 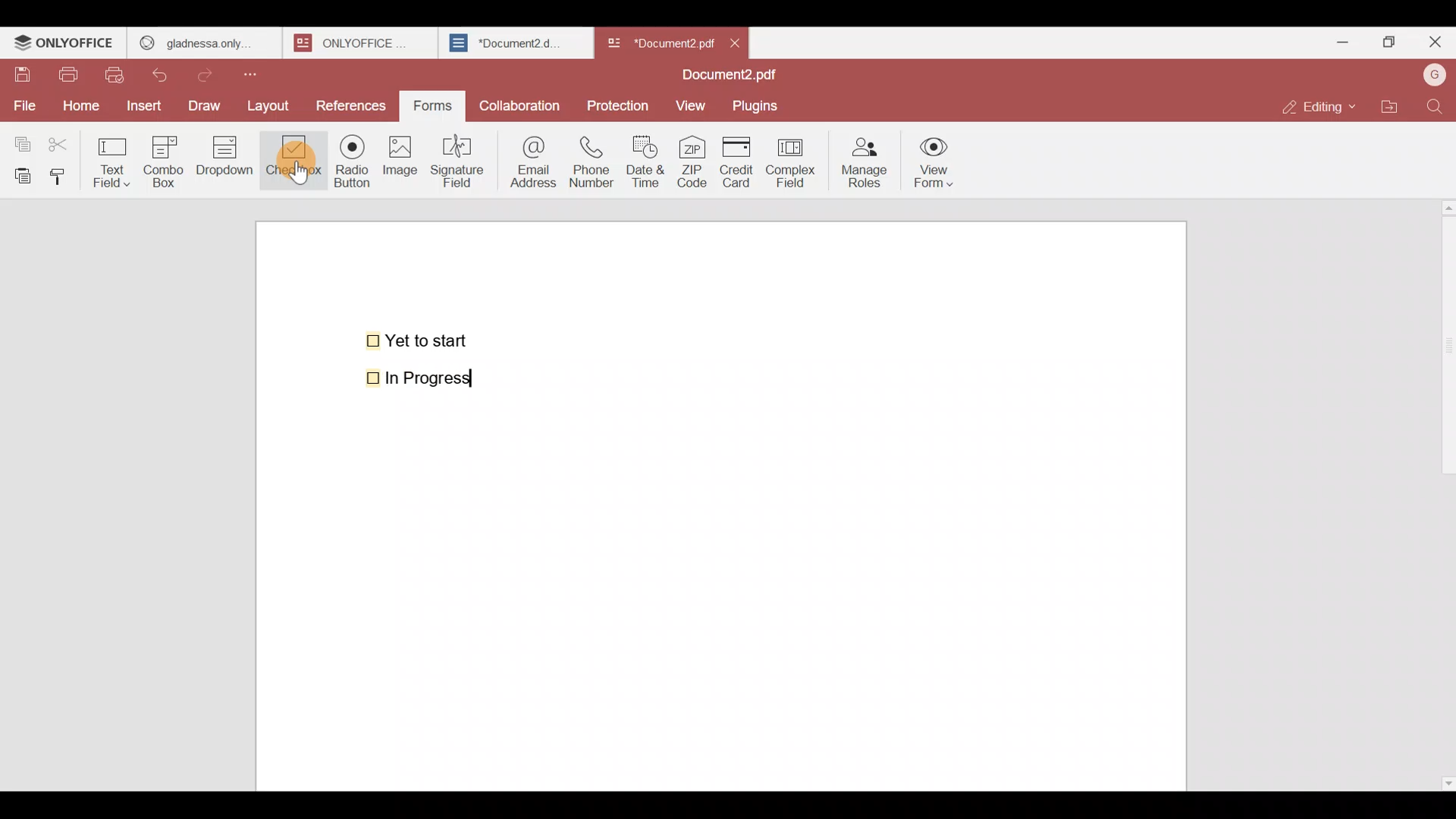 I want to click on Customize quick access toolbar, so click(x=263, y=71).